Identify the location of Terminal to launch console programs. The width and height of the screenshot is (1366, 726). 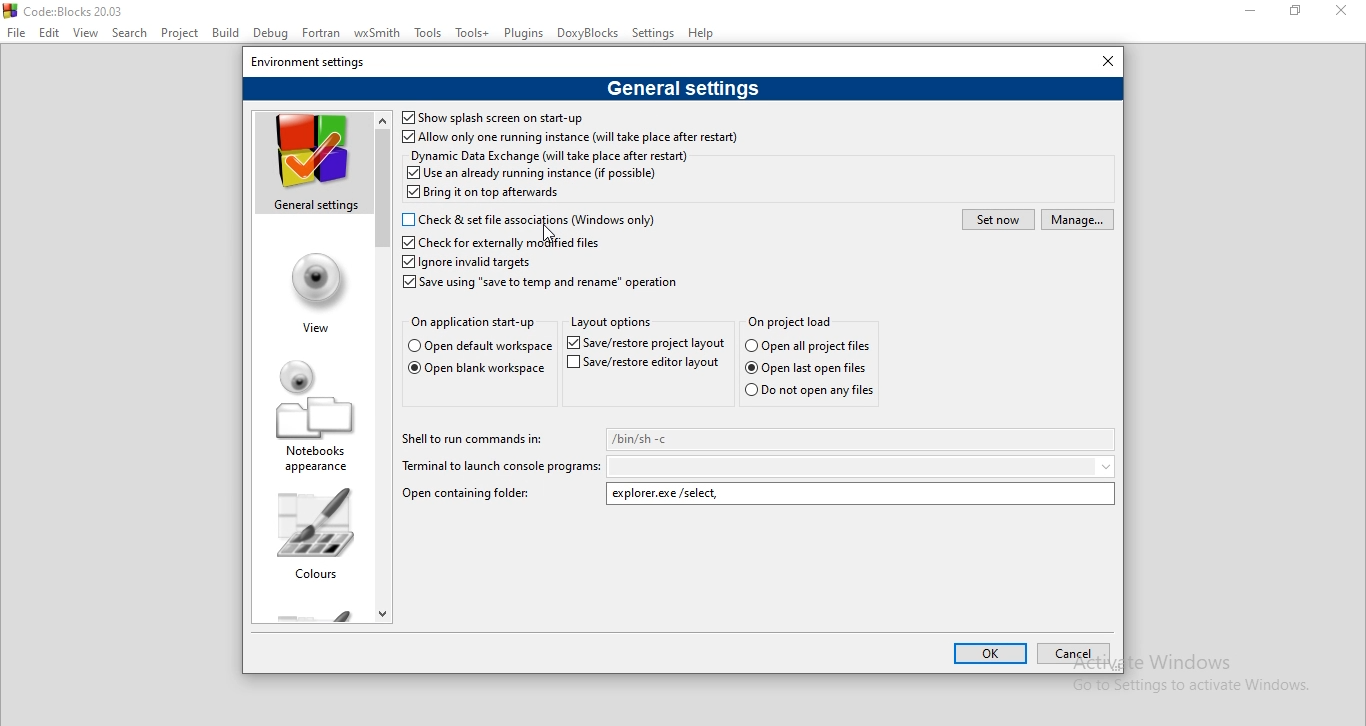
(501, 467).